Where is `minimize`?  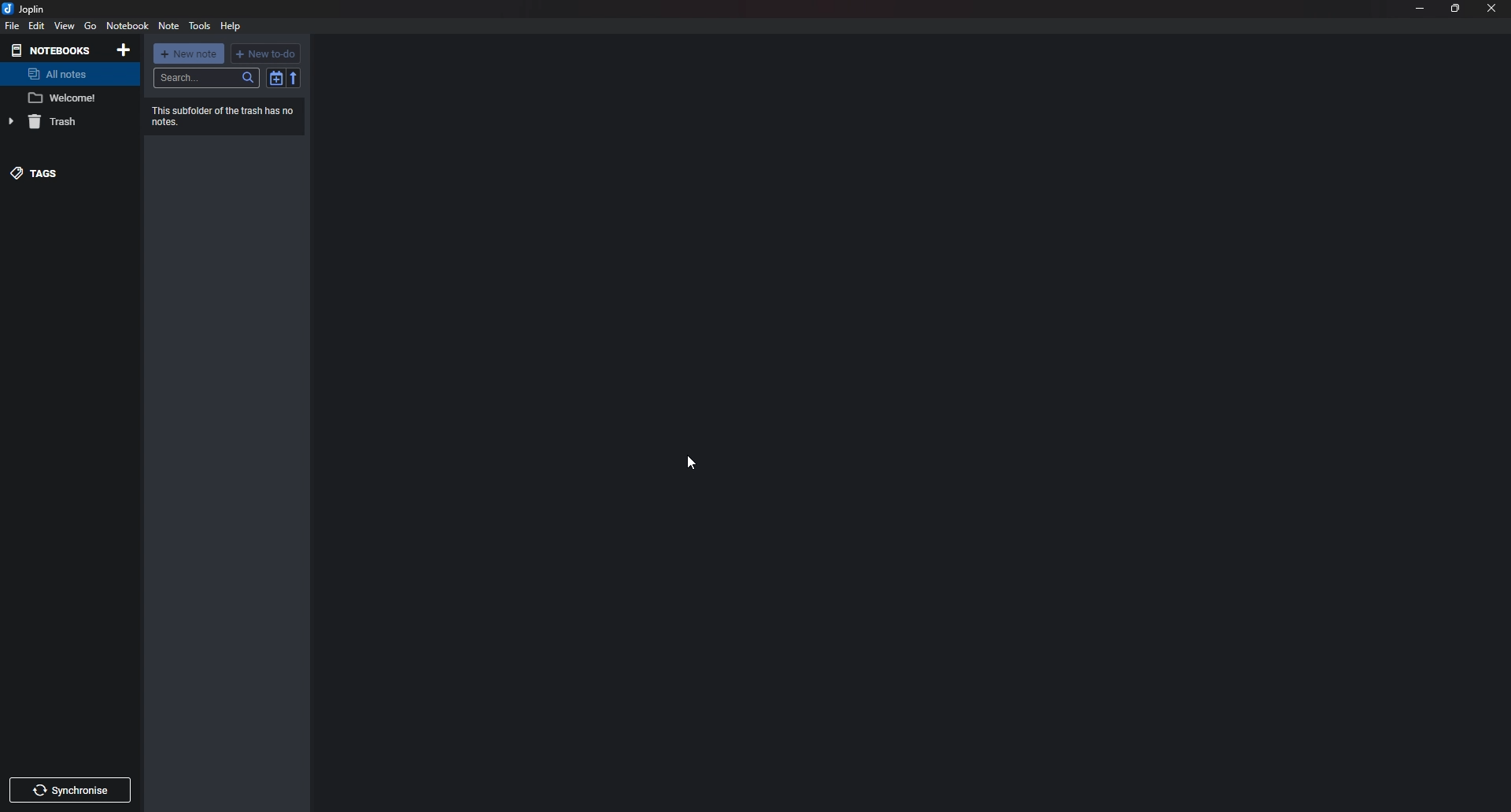
minimize is located at coordinates (1420, 7).